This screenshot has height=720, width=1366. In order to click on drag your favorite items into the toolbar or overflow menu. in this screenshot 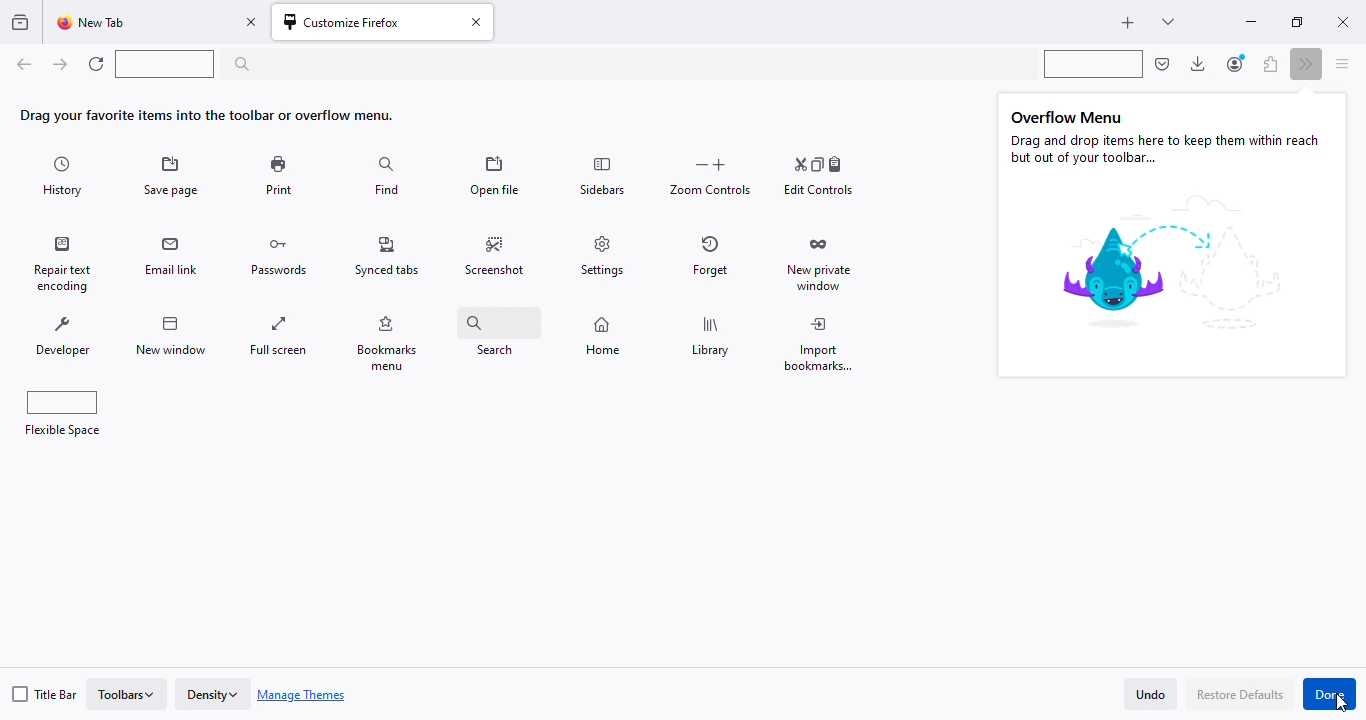, I will do `click(207, 116)`.